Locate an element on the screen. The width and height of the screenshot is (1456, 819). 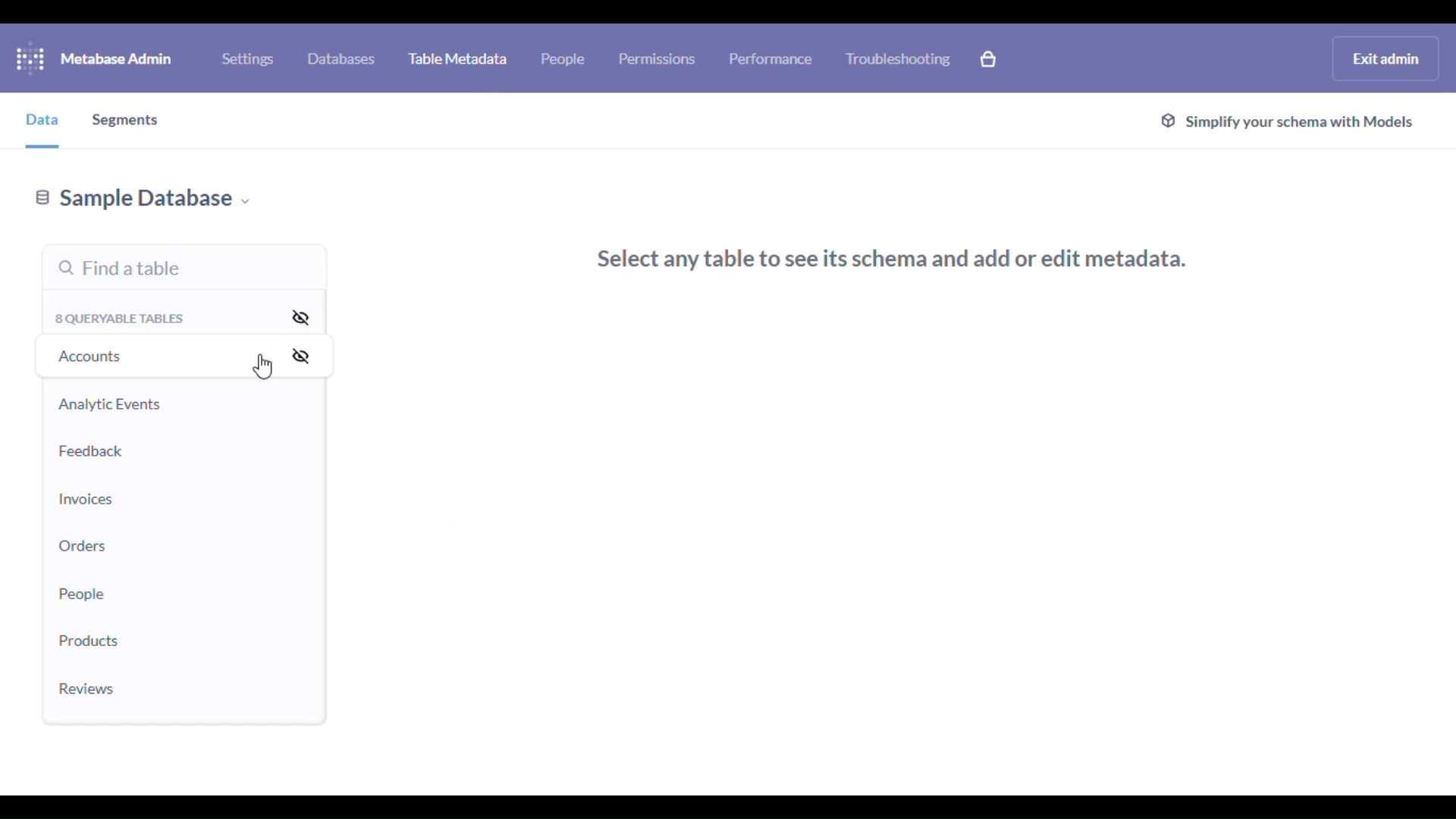
reviews is located at coordinates (87, 689).